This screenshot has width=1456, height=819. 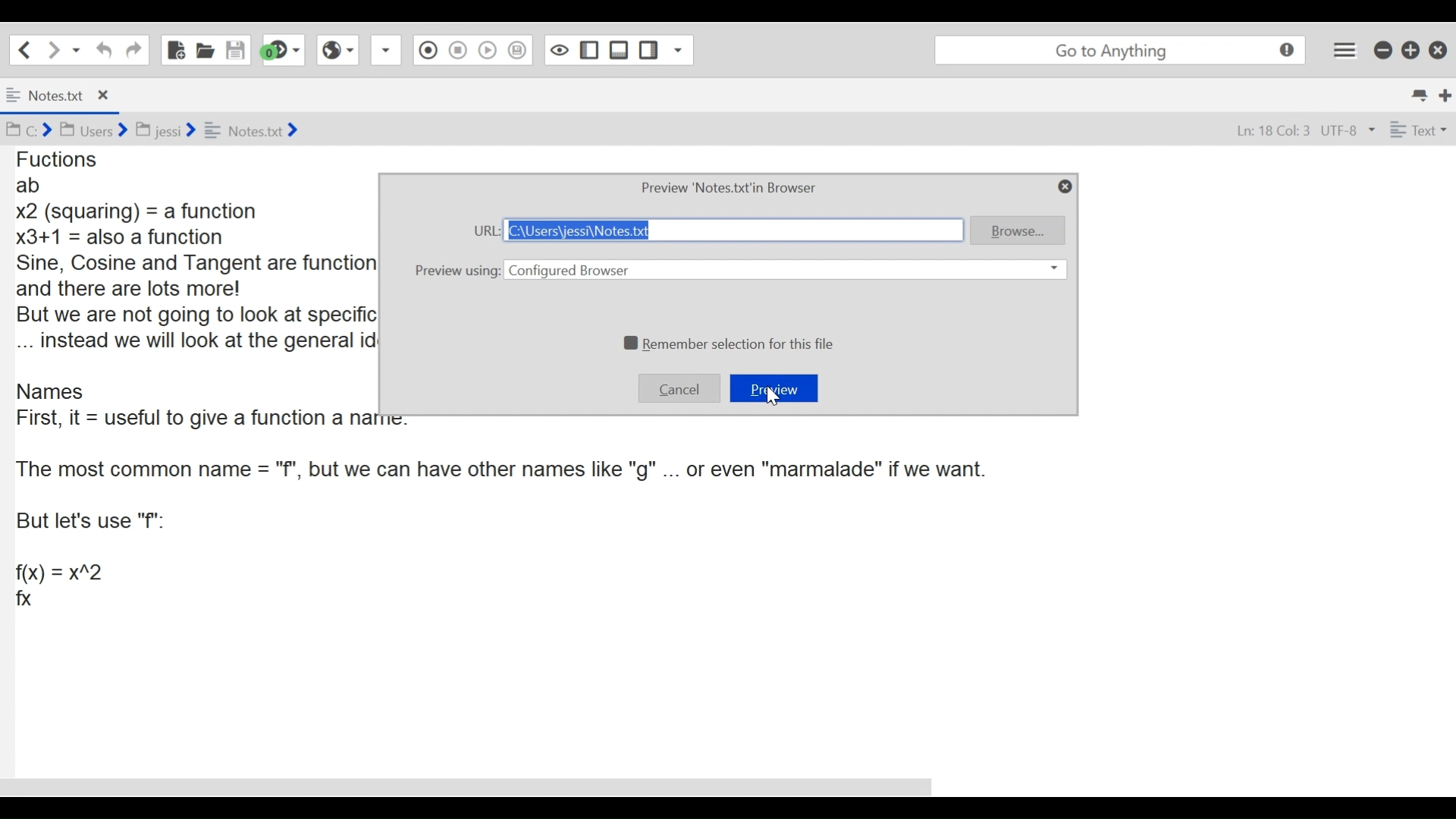 What do you see at coordinates (1408, 50) in the screenshot?
I see `restore` at bounding box center [1408, 50].